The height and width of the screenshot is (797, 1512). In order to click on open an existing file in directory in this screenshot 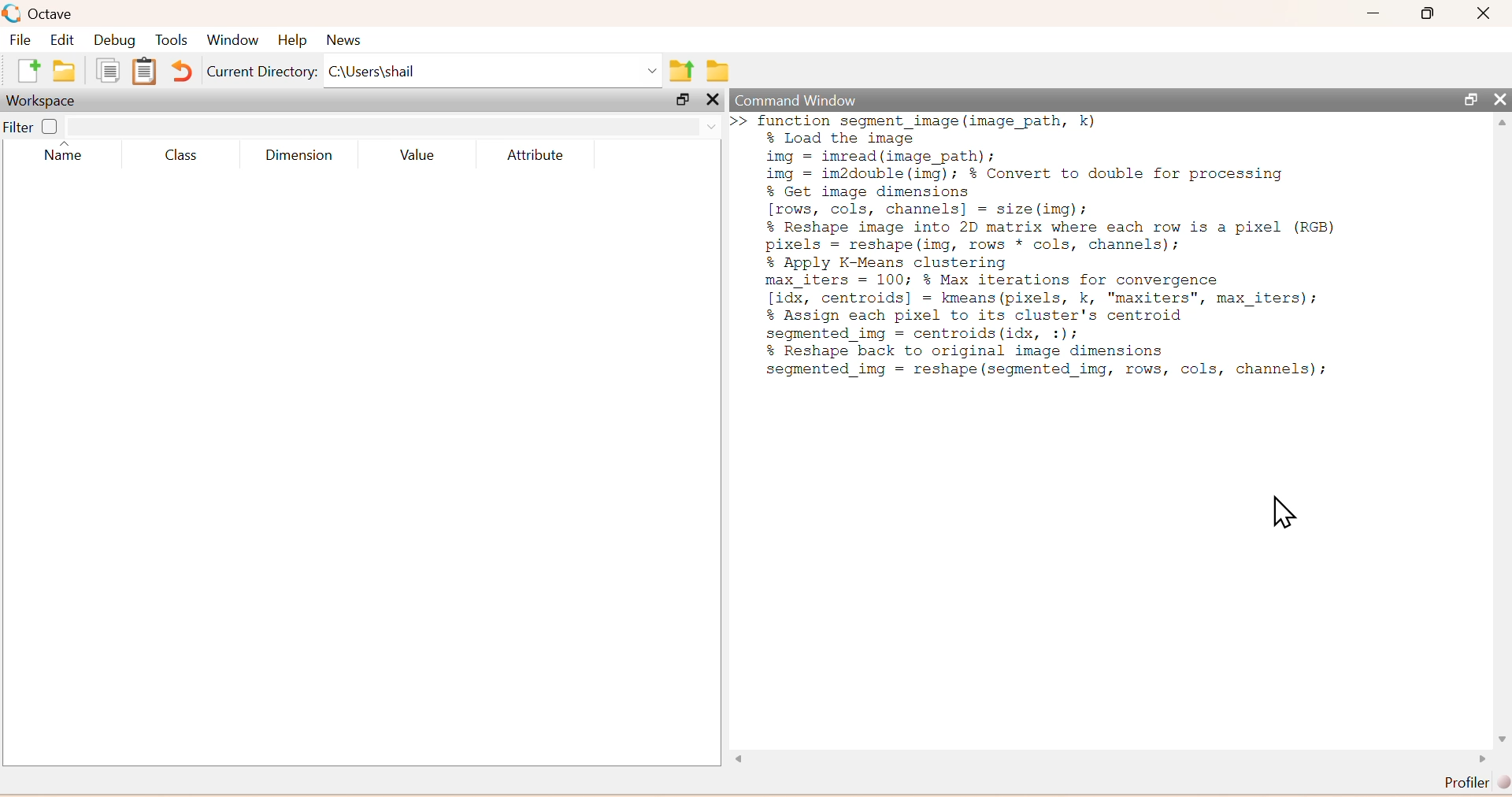, I will do `click(69, 71)`.